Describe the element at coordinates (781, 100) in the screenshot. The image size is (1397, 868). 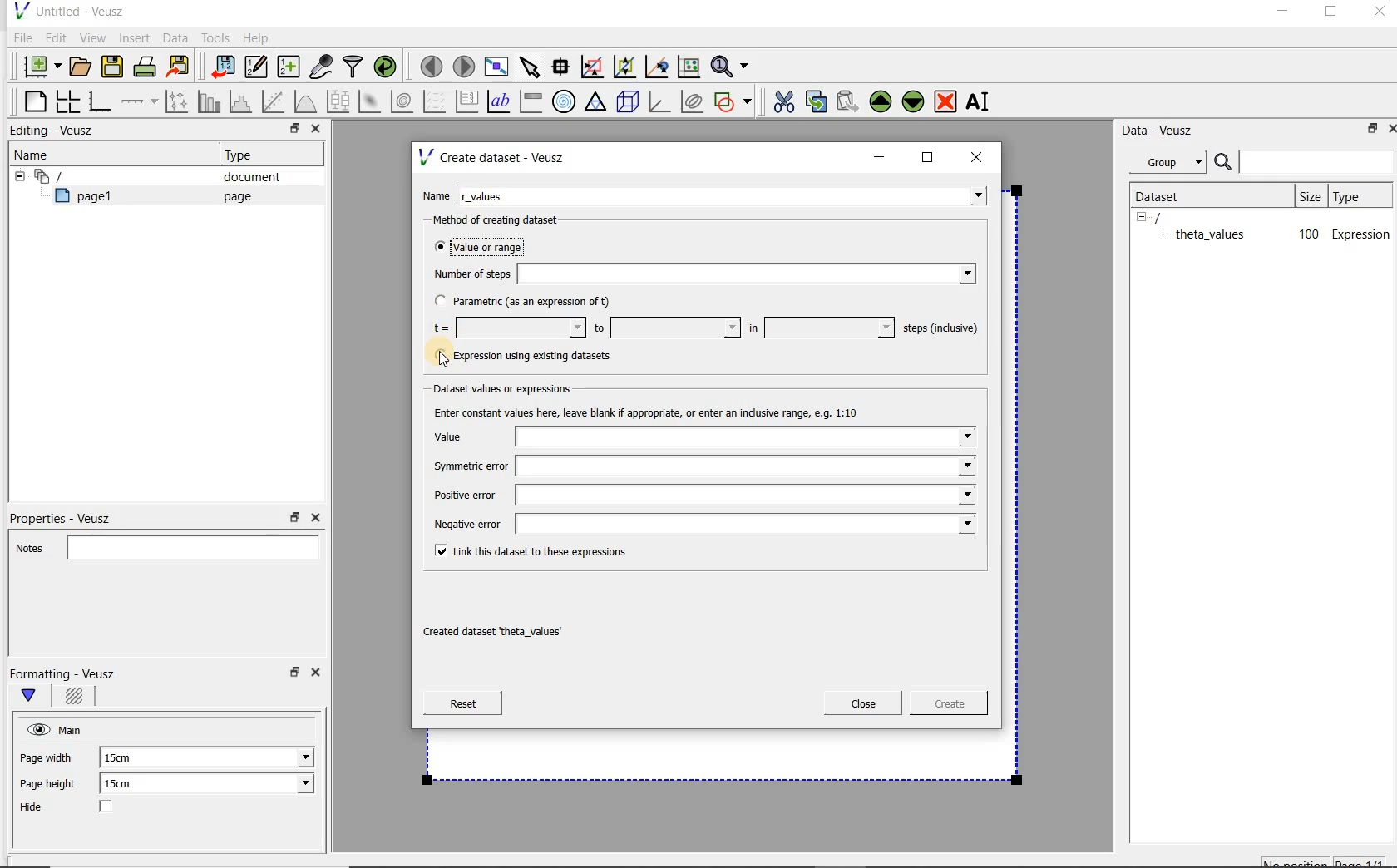
I see `cut the selected widget` at that location.